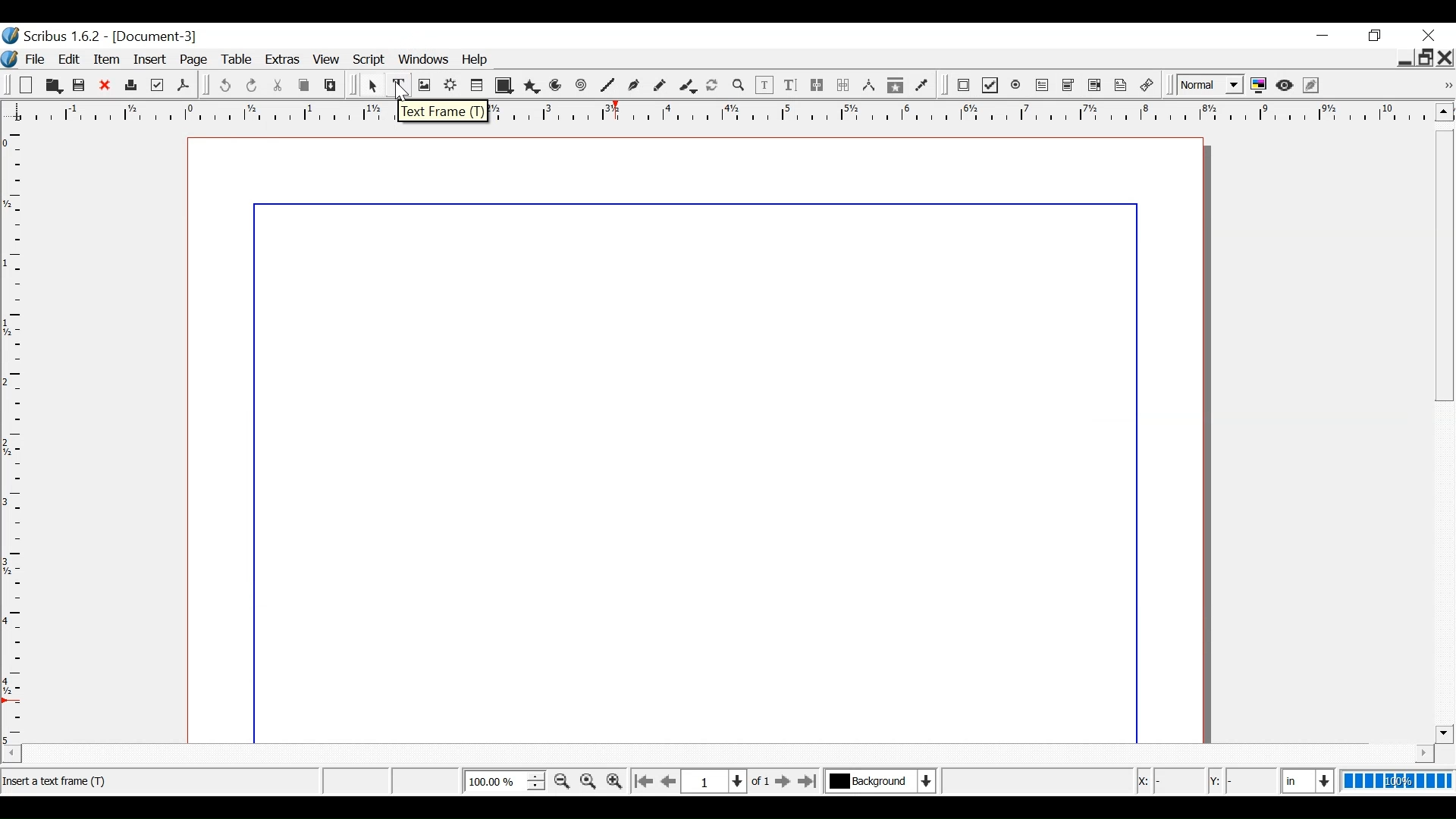 This screenshot has width=1456, height=819. What do you see at coordinates (10, 58) in the screenshot?
I see `Logo` at bounding box center [10, 58].